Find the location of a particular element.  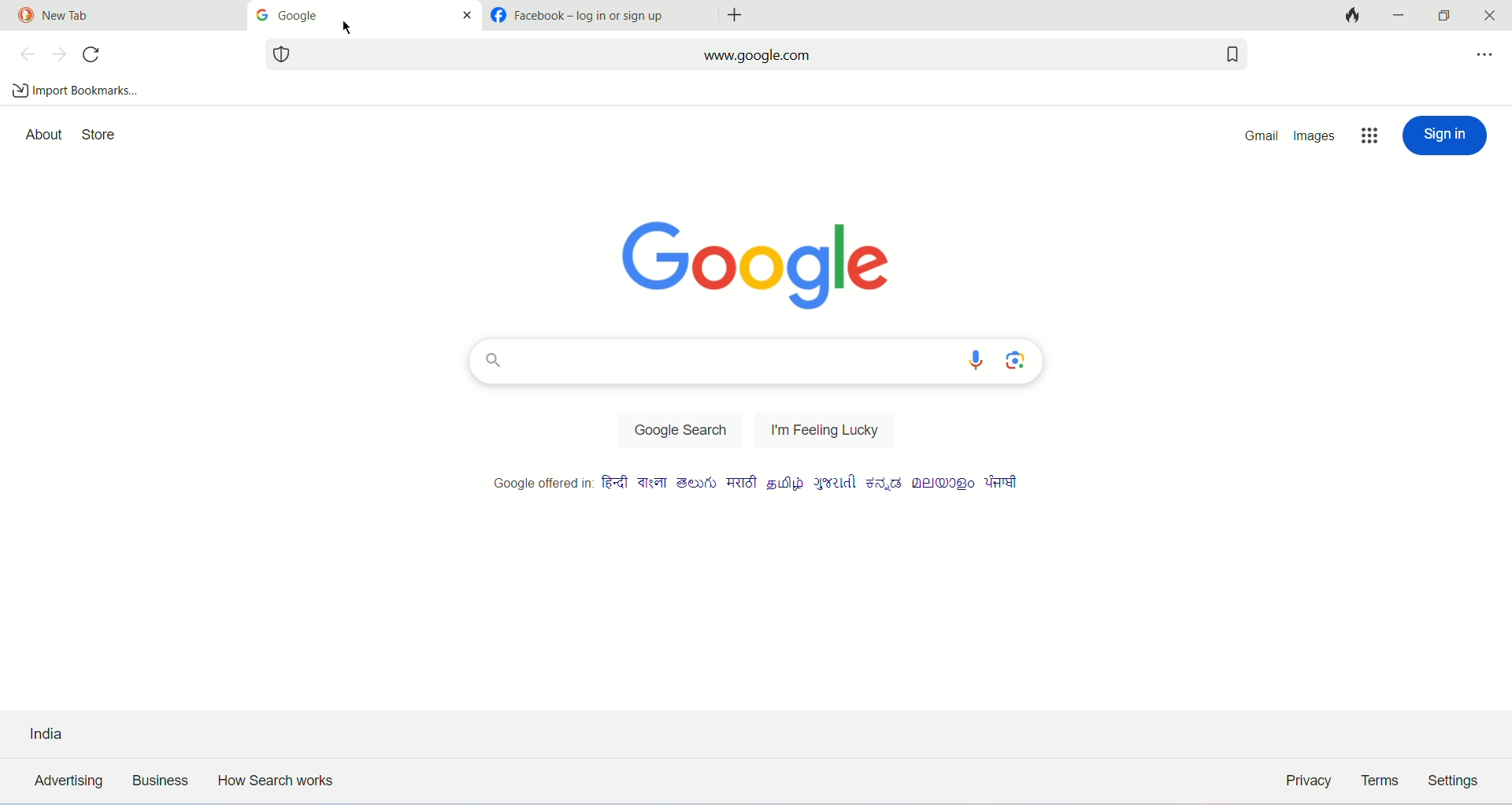

more options is located at coordinates (1487, 61).